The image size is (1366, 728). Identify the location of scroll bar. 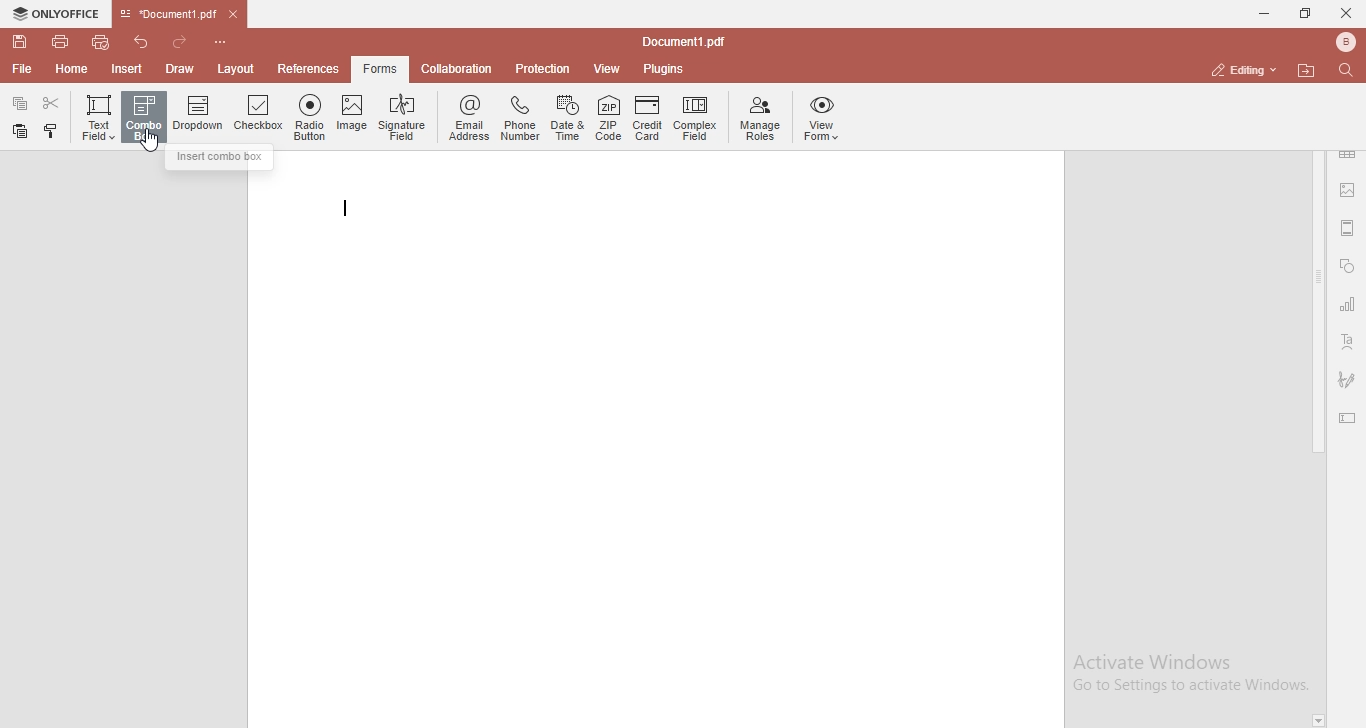
(1318, 302).